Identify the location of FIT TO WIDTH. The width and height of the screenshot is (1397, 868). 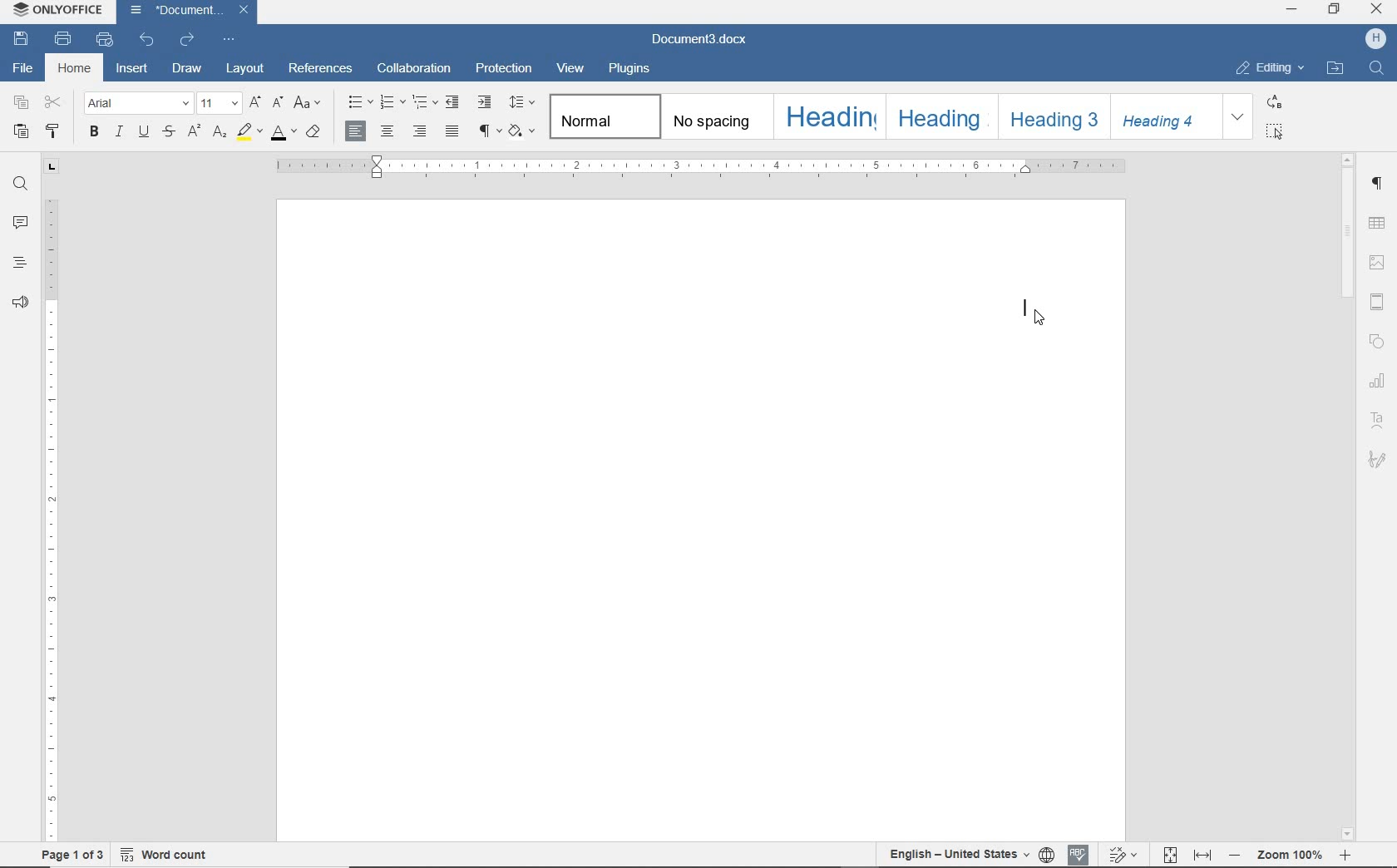
(1202, 855).